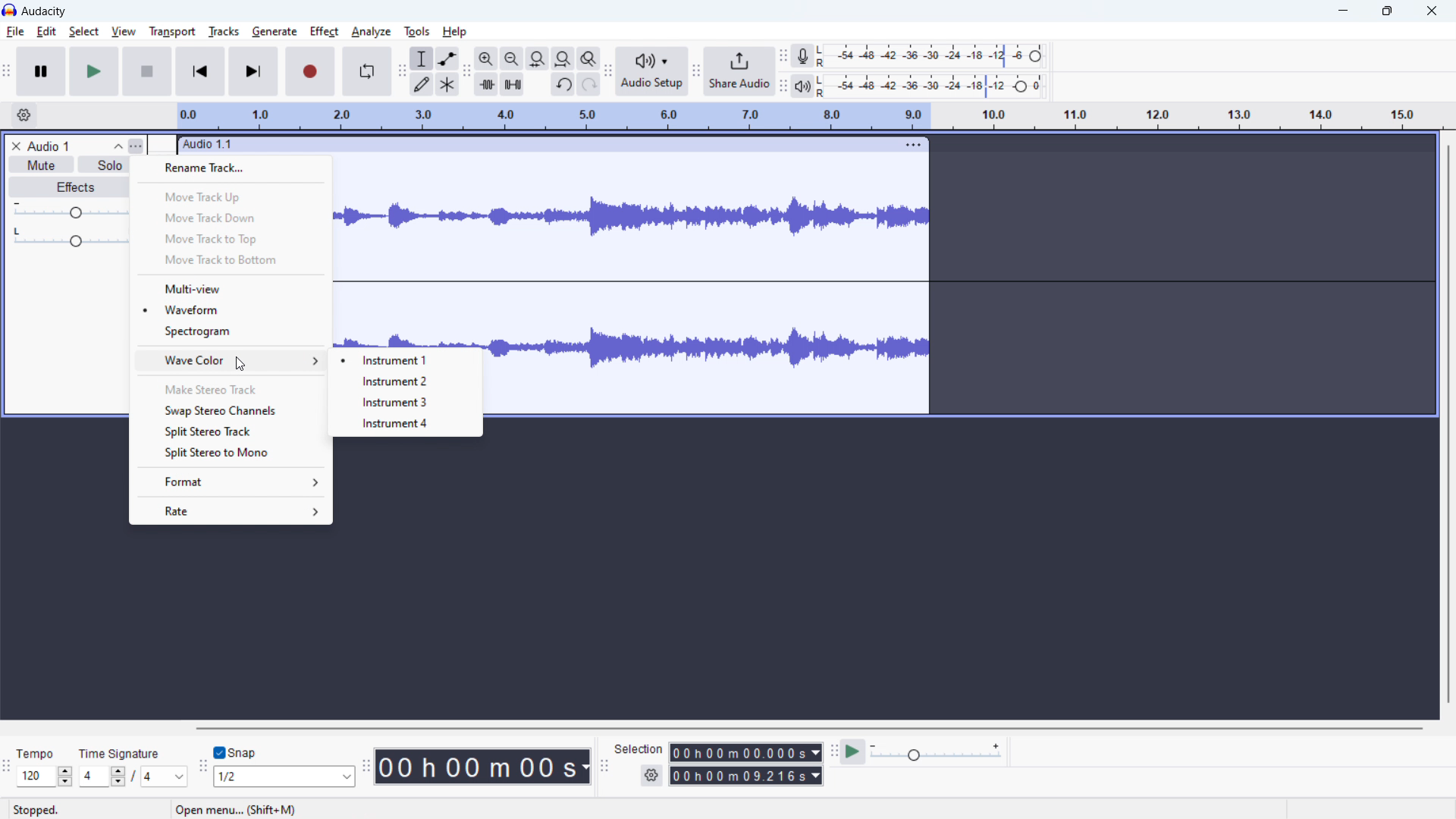 The width and height of the screenshot is (1456, 819). I want to click on Tempo, so click(36, 752).